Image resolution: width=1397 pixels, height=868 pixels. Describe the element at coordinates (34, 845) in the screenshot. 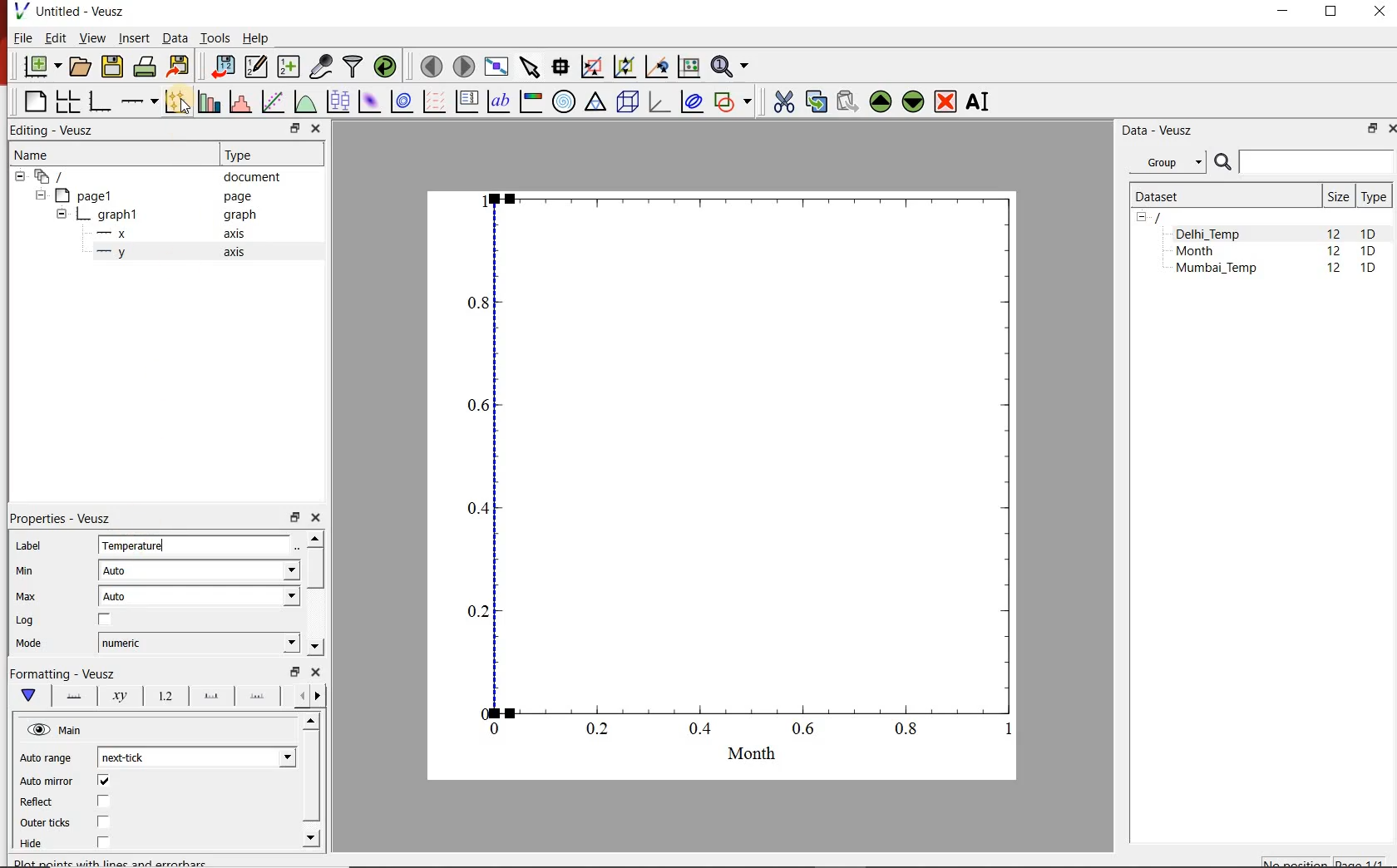

I see `Hide` at that location.